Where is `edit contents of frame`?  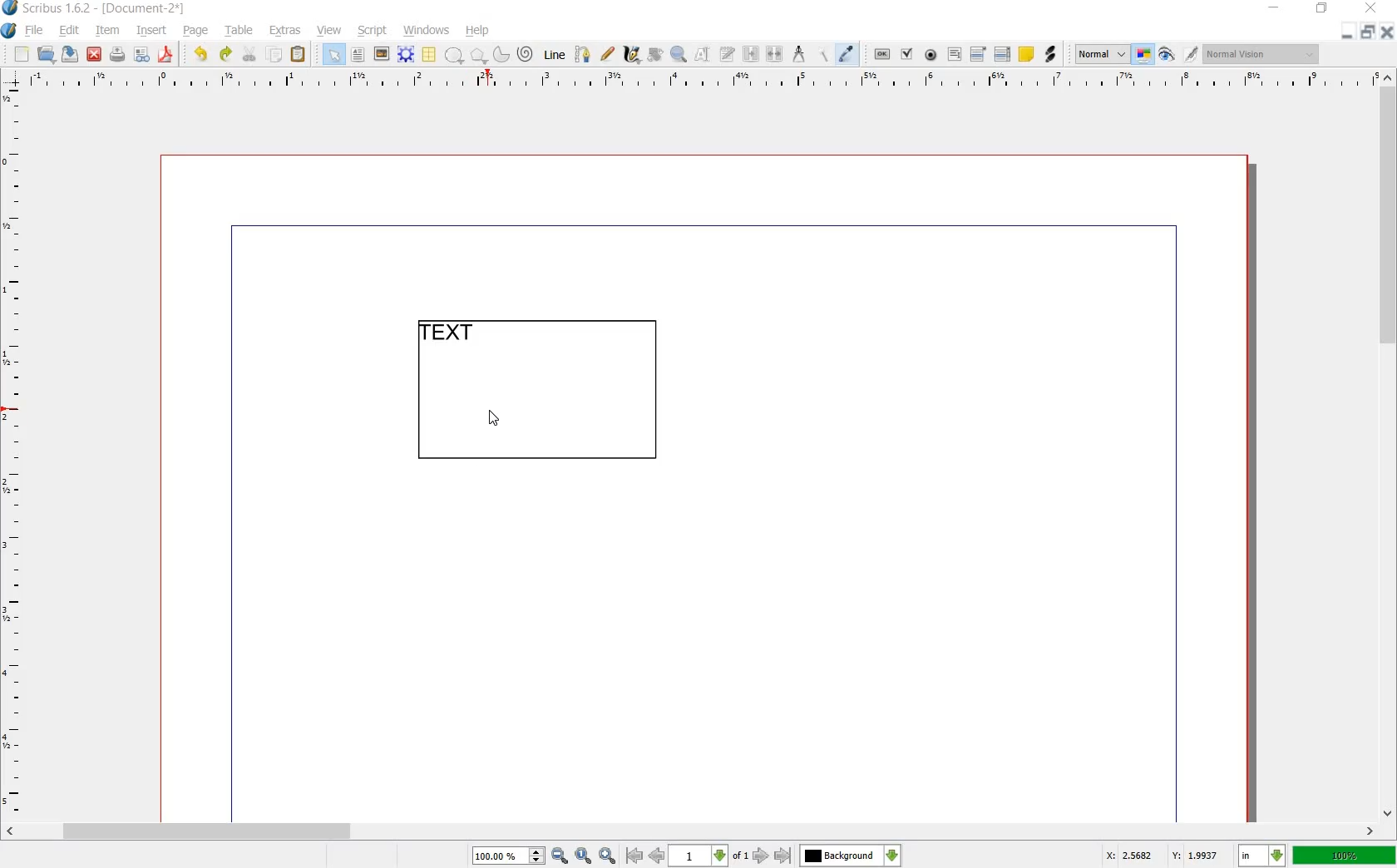
edit contents of frame is located at coordinates (703, 55).